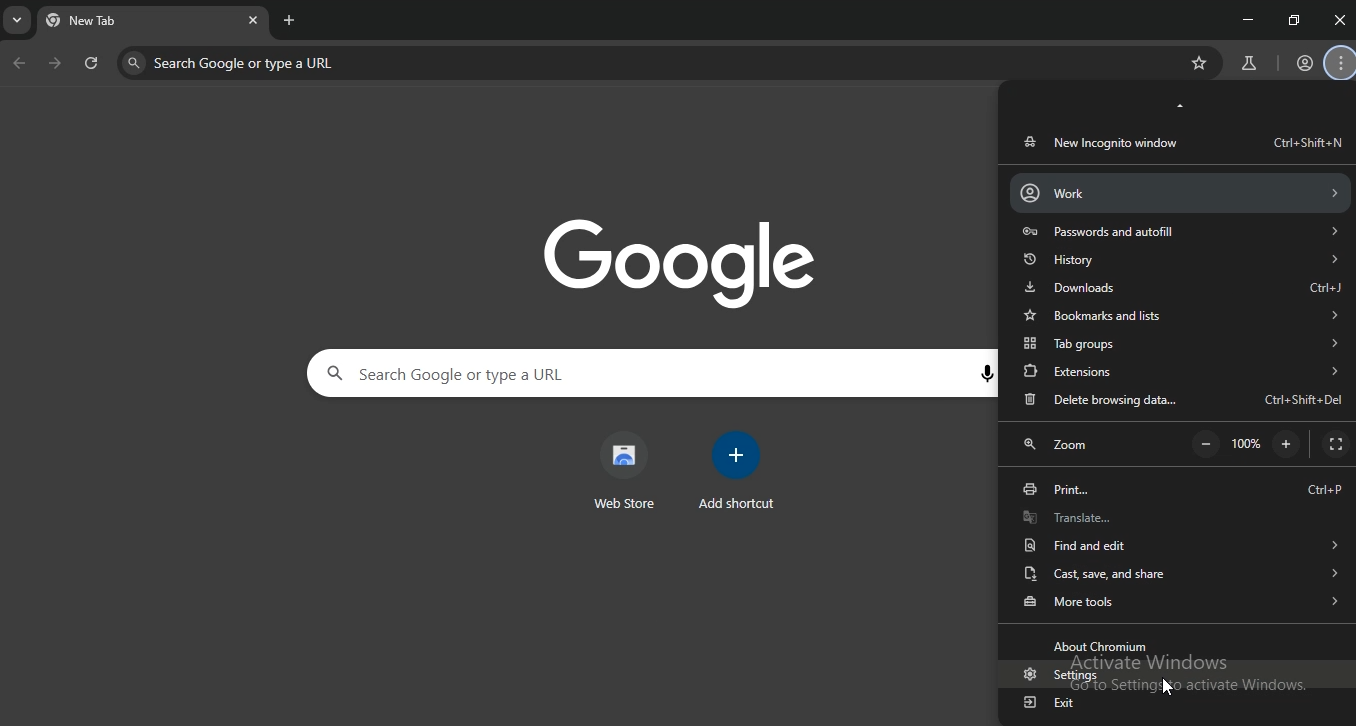  I want to click on more tools, so click(1180, 600).